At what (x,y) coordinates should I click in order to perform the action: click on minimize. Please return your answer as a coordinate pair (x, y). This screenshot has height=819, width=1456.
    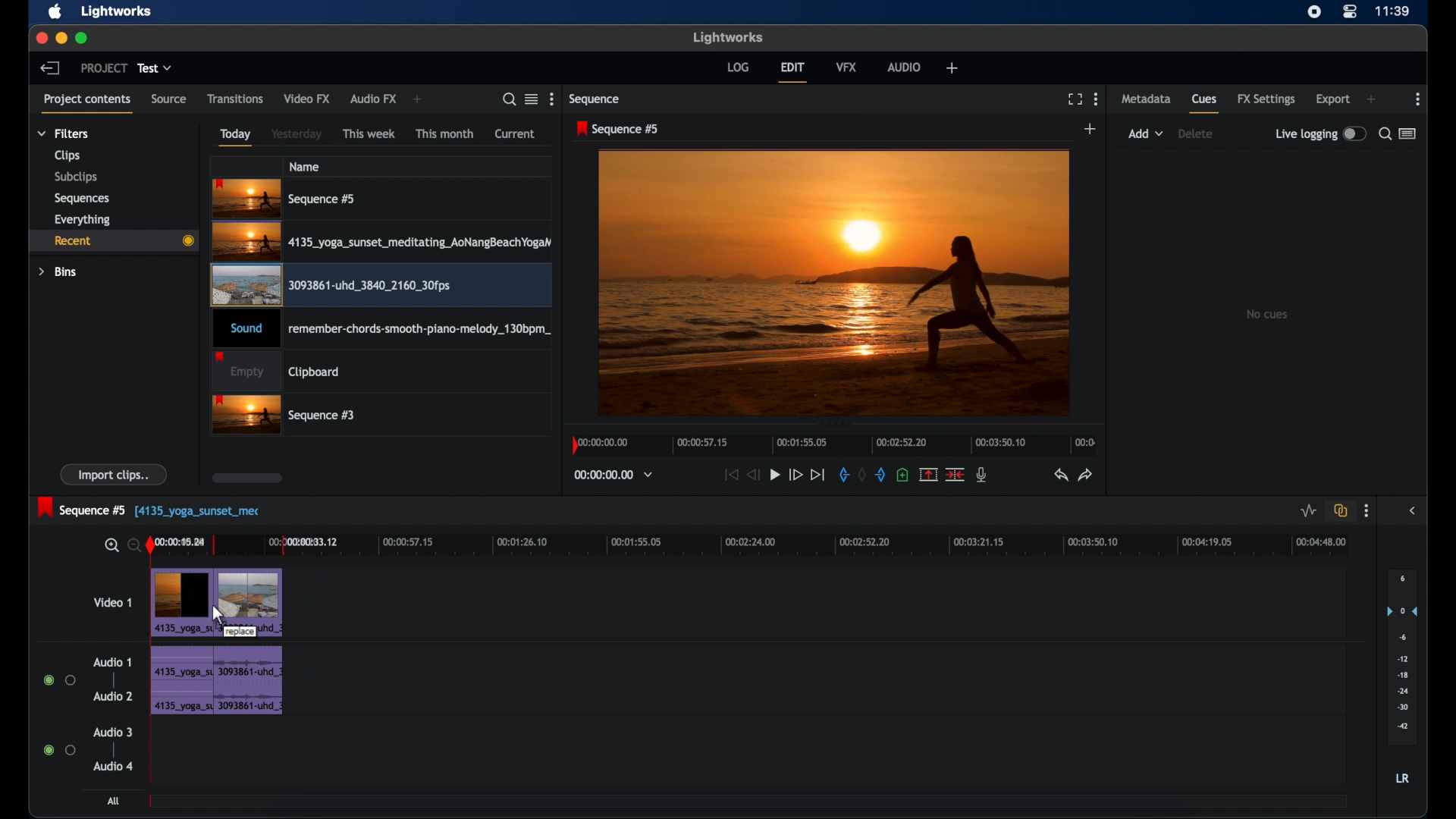
    Looking at the image, I should click on (62, 38).